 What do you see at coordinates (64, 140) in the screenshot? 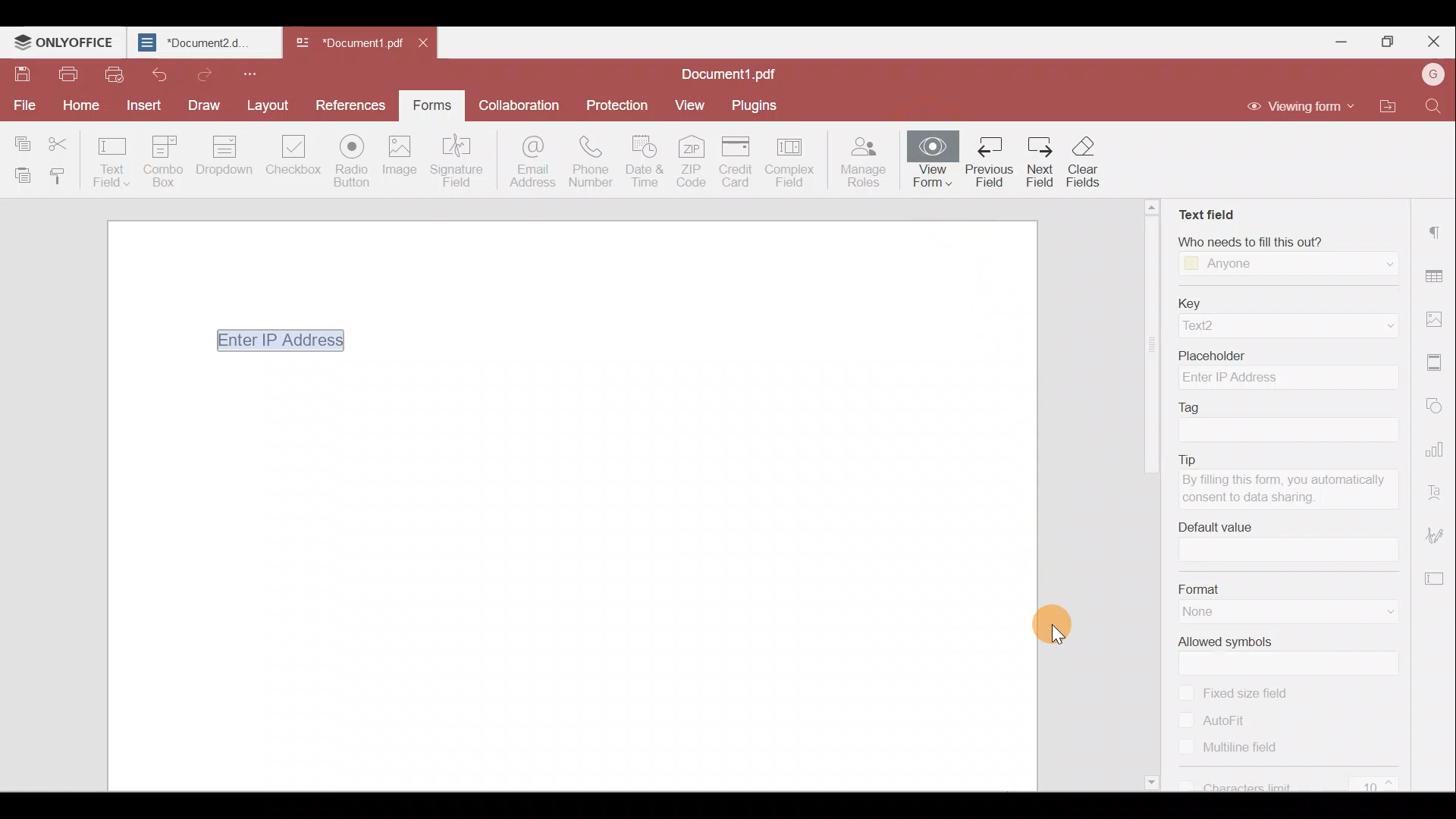
I see `Cut` at bounding box center [64, 140].